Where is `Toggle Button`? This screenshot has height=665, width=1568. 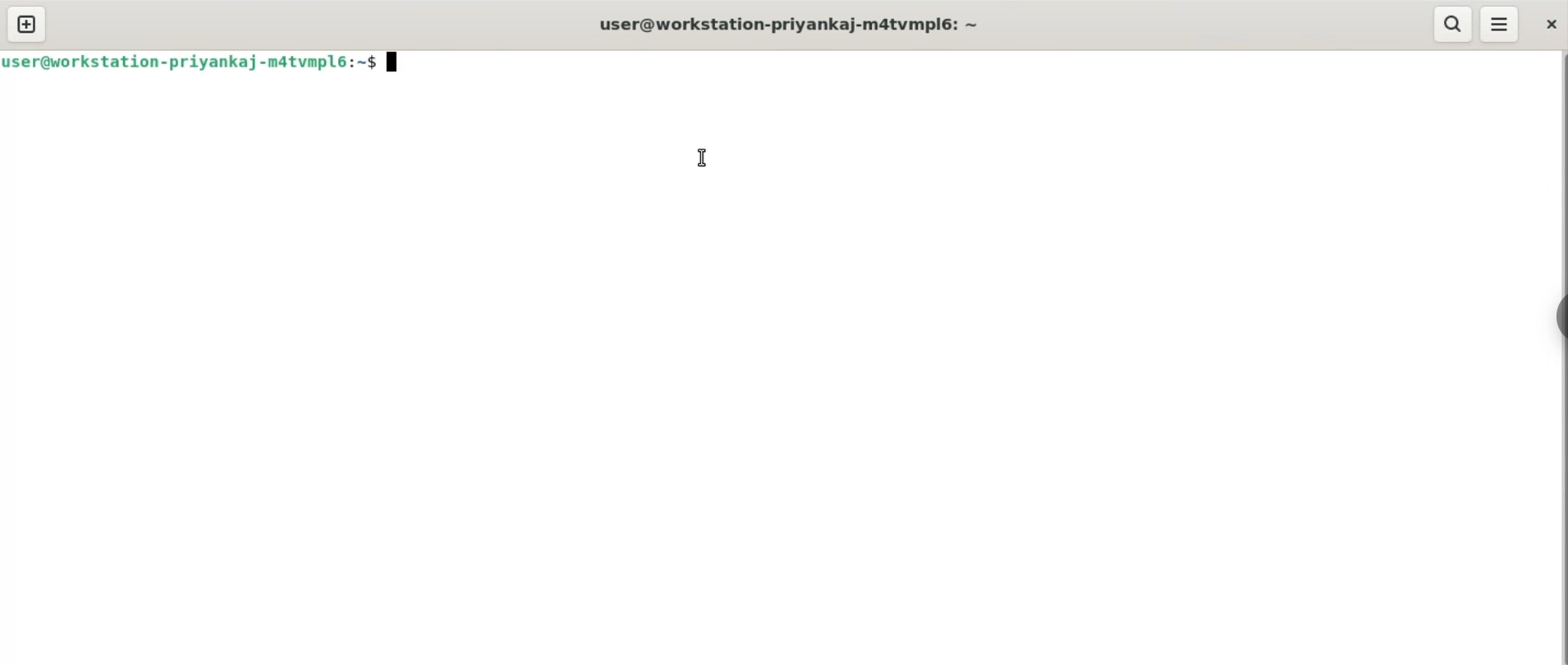
Toggle Button is located at coordinates (1556, 308).